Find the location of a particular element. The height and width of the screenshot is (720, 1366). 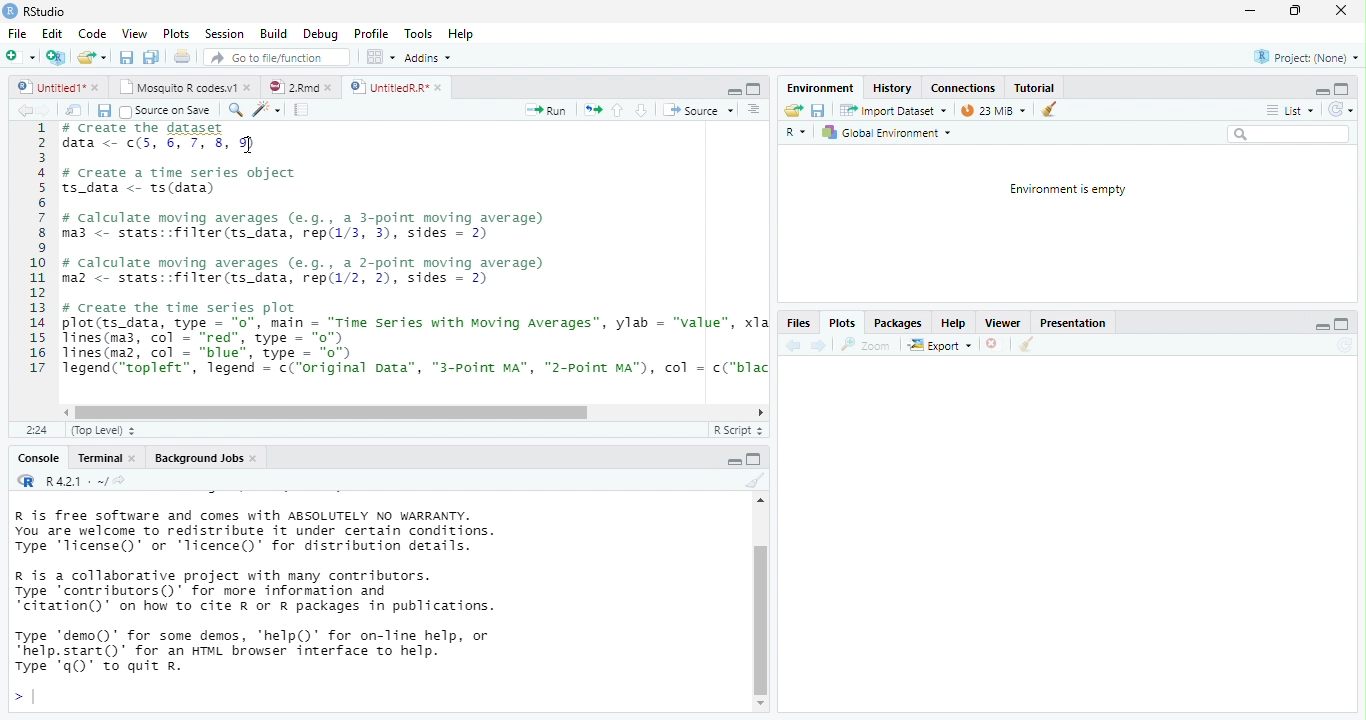

Viewer is located at coordinates (1002, 323).